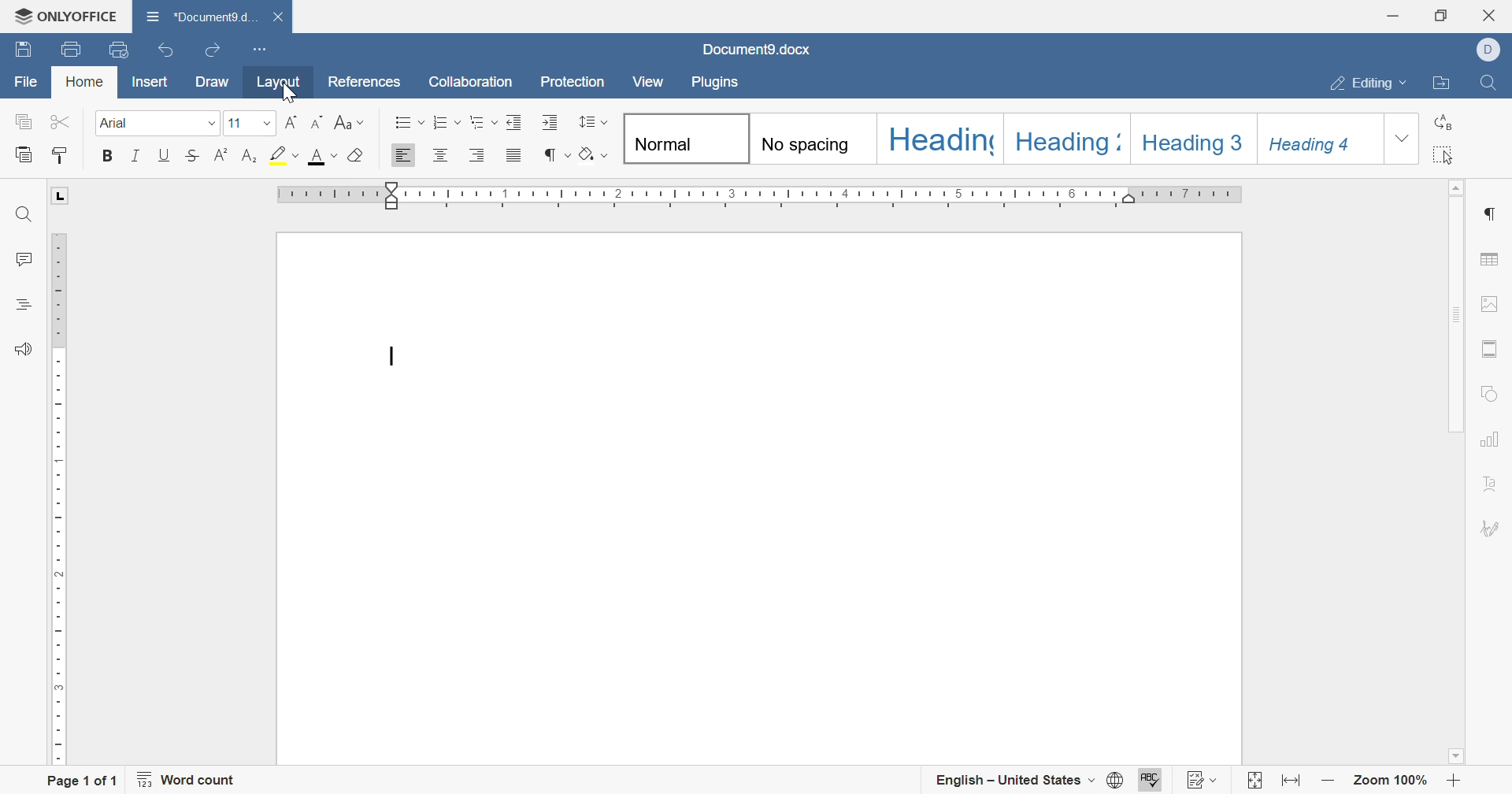 The image size is (1512, 794). Describe the element at coordinates (1392, 16) in the screenshot. I see `minimize` at that location.